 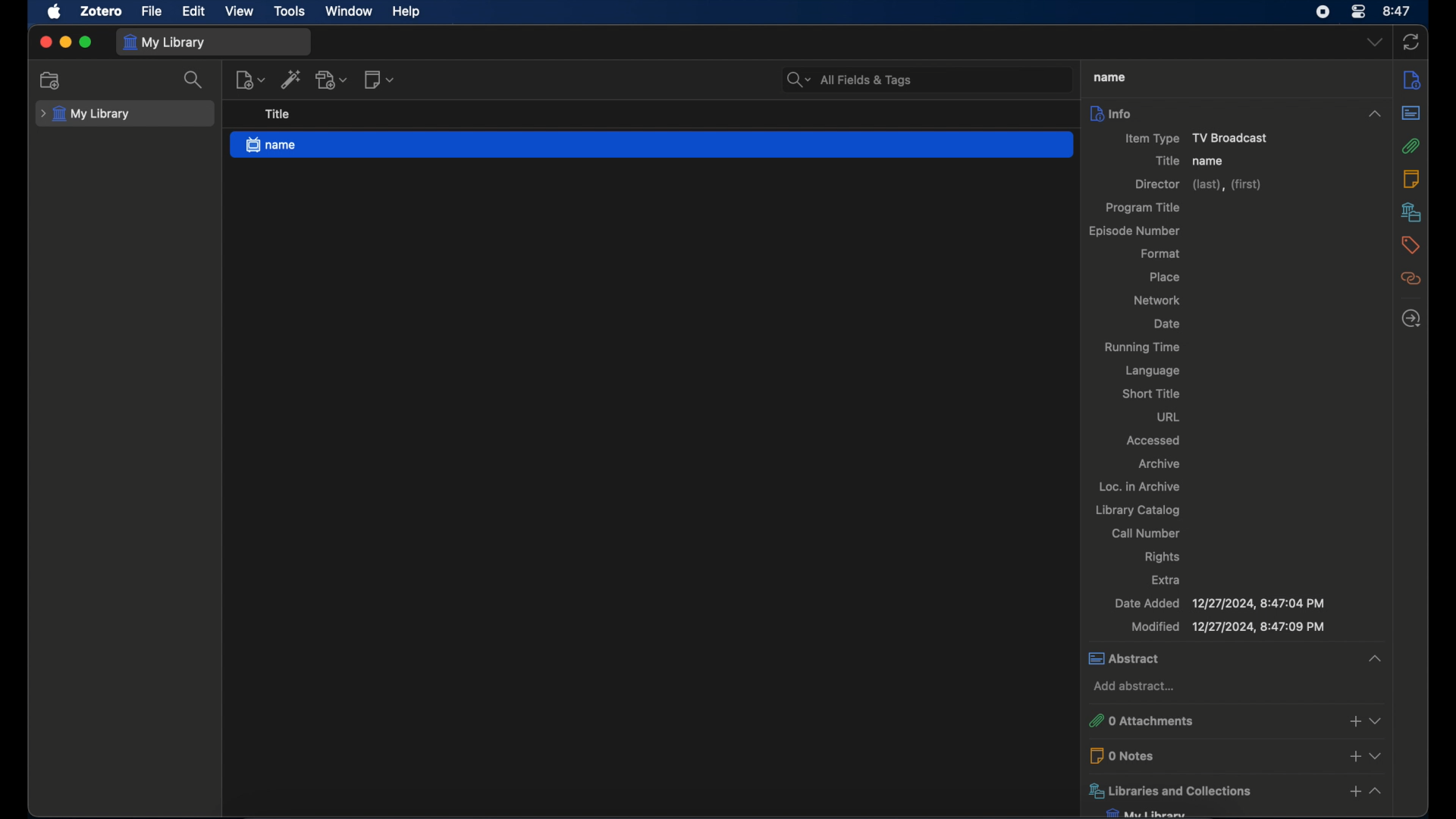 What do you see at coordinates (65, 43) in the screenshot?
I see `minimize` at bounding box center [65, 43].